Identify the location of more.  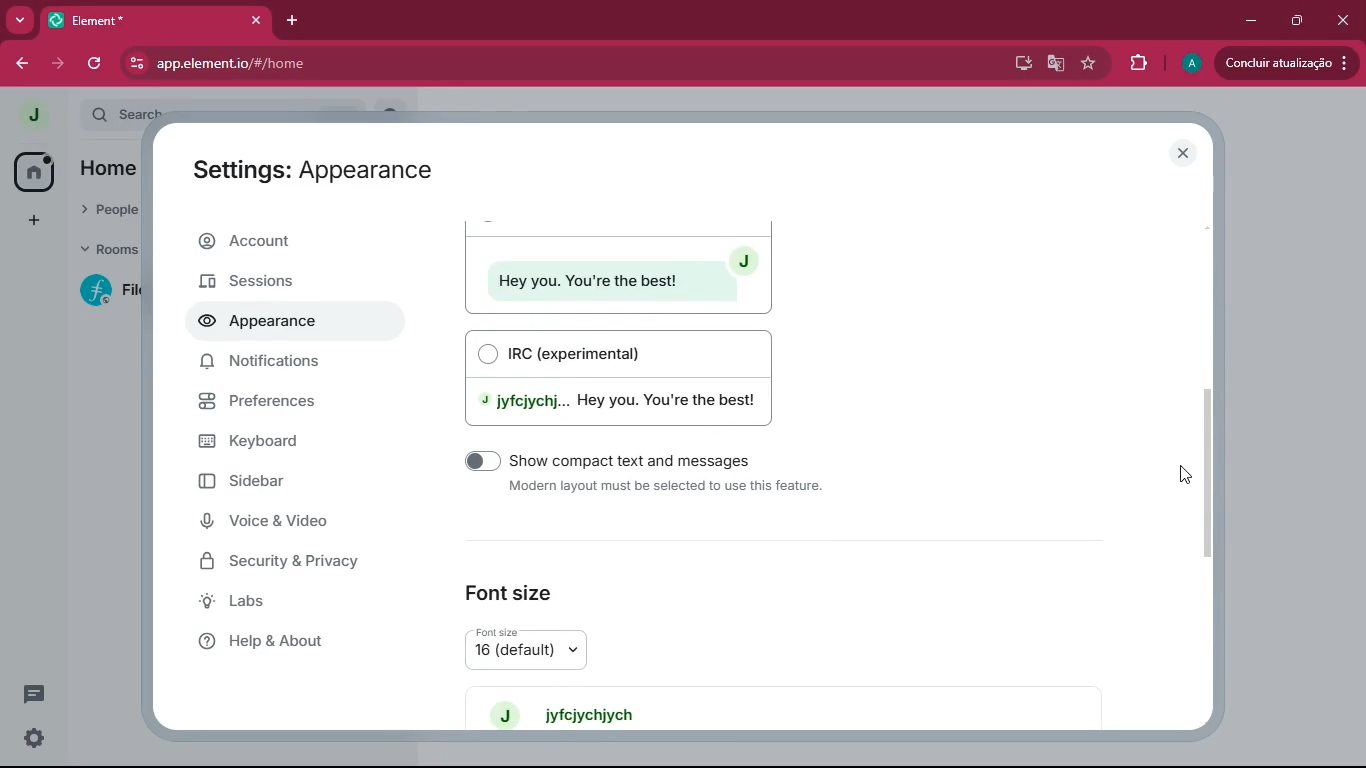
(22, 21).